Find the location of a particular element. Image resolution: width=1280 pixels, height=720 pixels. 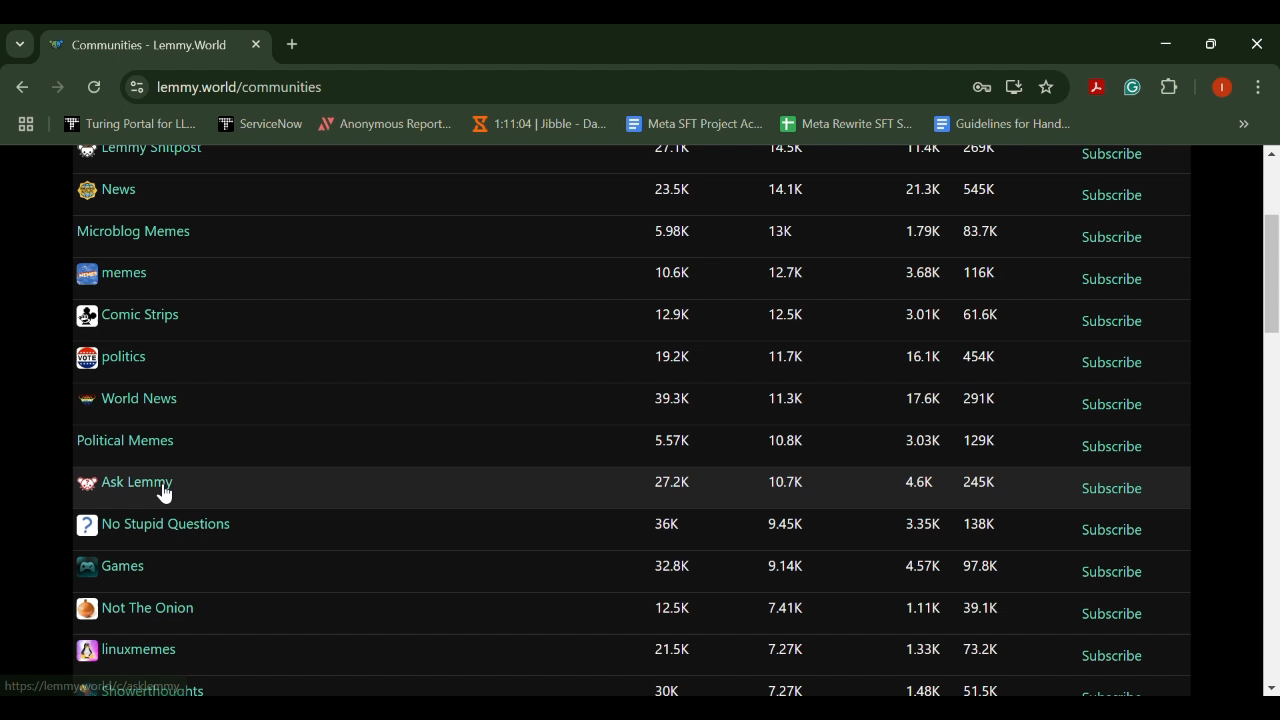

21.5K is located at coordinates (674, 651).